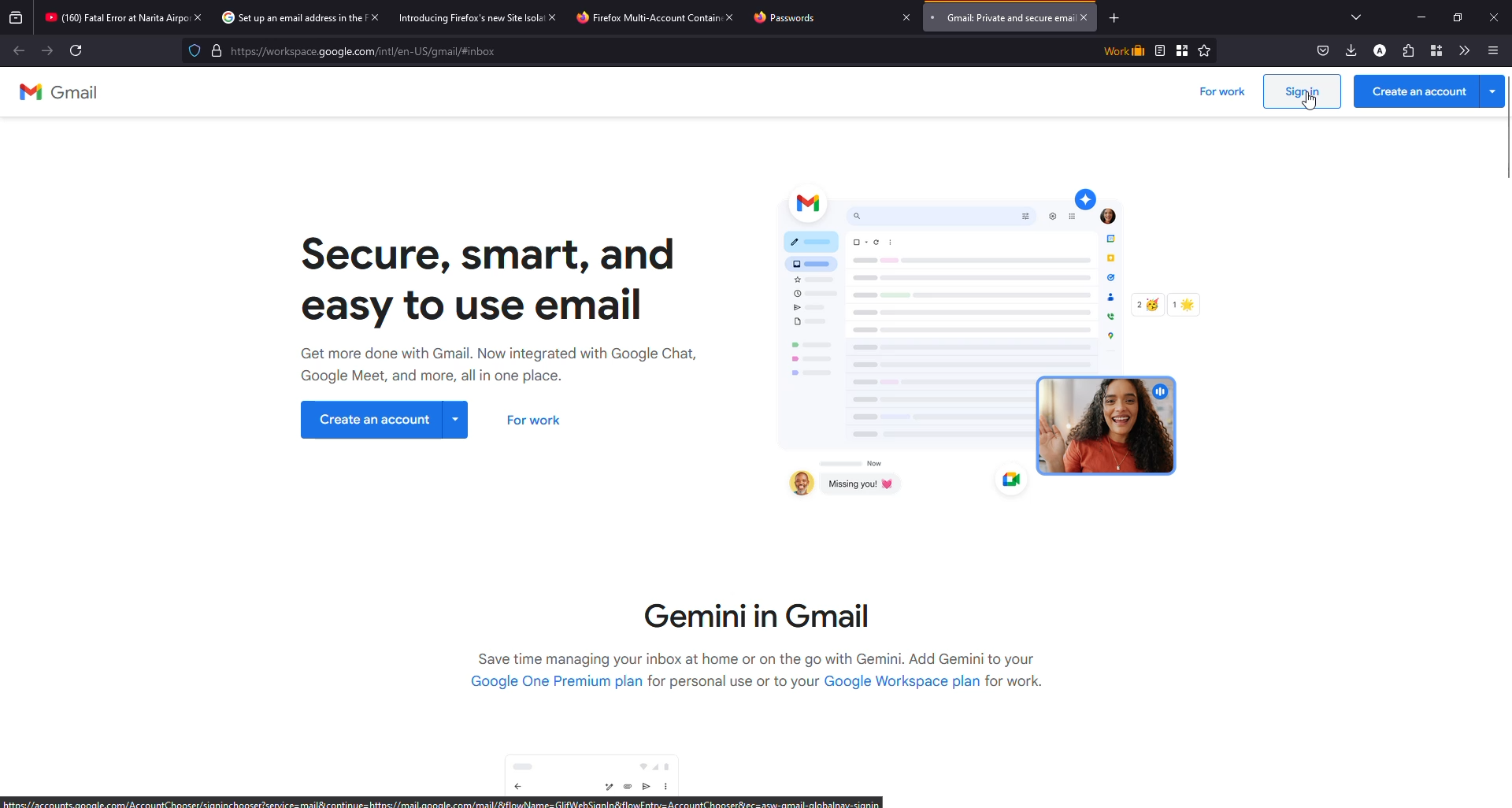 The height and width of the screenshot is (808, 1512). What do you see at coordinates (283, 17) in the screenshot?
I see `Set up an email address in` at bounding box center [283, 17].